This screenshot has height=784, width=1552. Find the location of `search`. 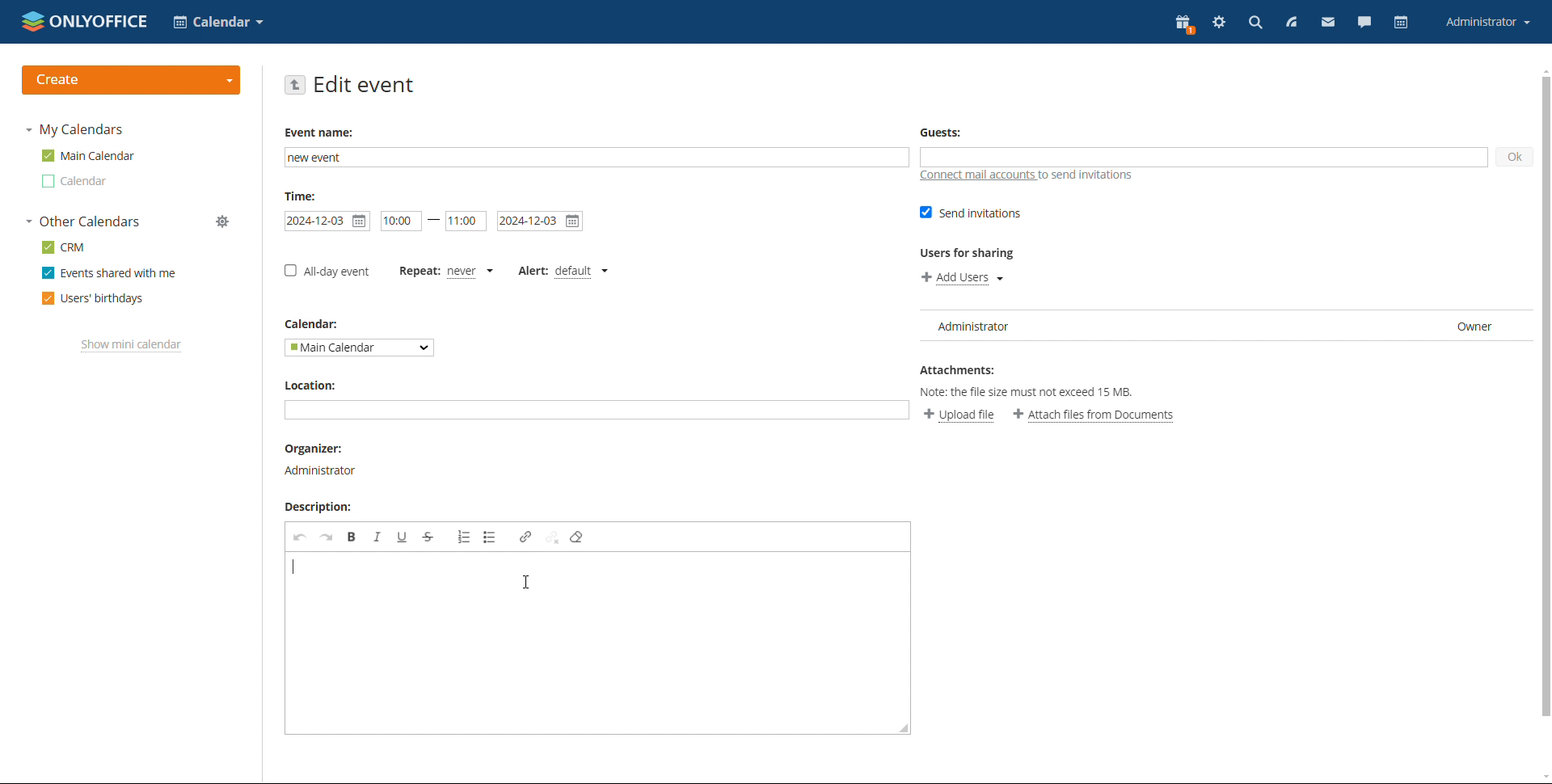

search is located at coordinates (1255, 23).